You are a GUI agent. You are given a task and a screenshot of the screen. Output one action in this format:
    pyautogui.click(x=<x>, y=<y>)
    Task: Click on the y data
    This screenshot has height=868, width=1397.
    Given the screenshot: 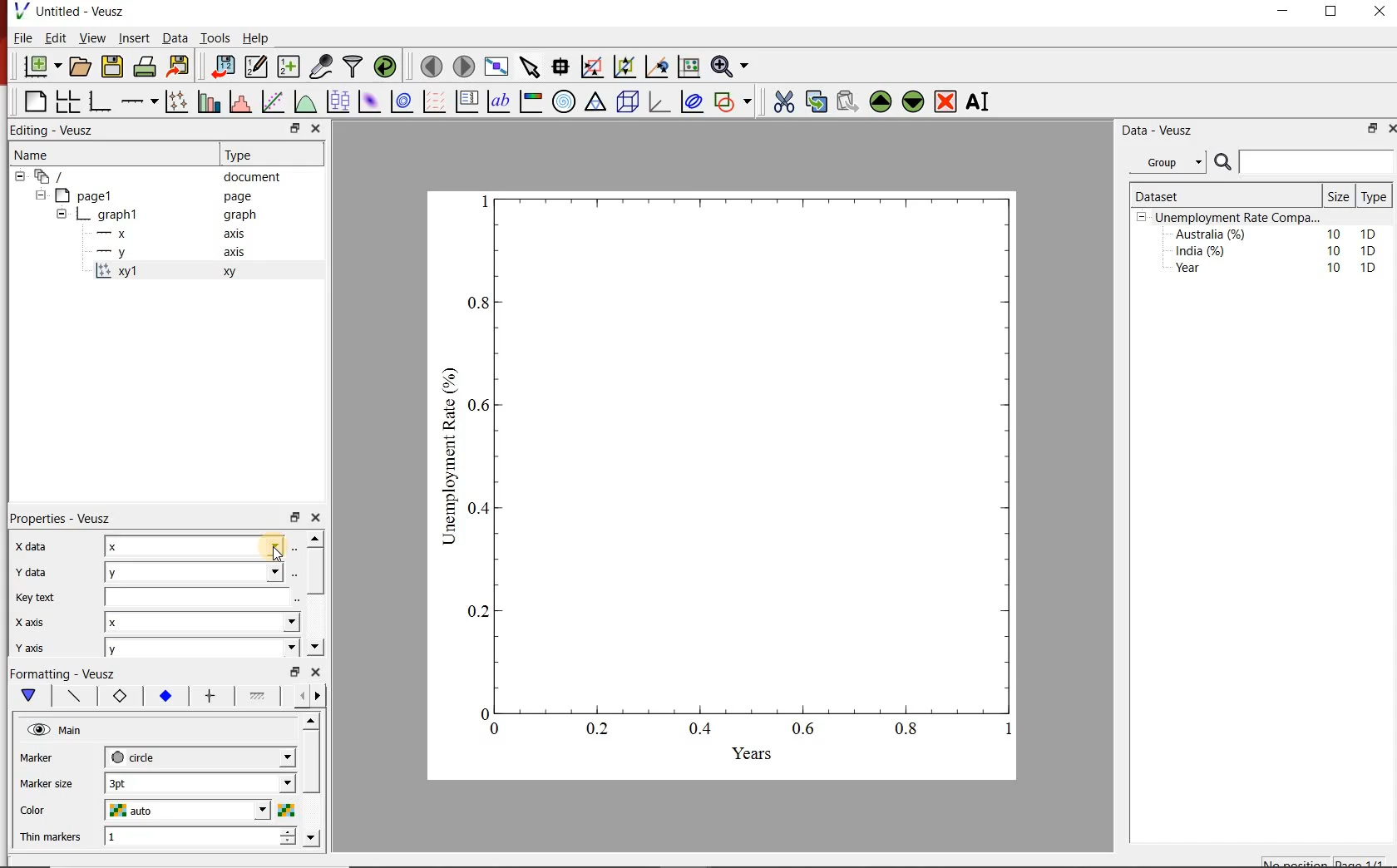 What is the action you would take?
    pyautogui.click(x=36, y=572)
    